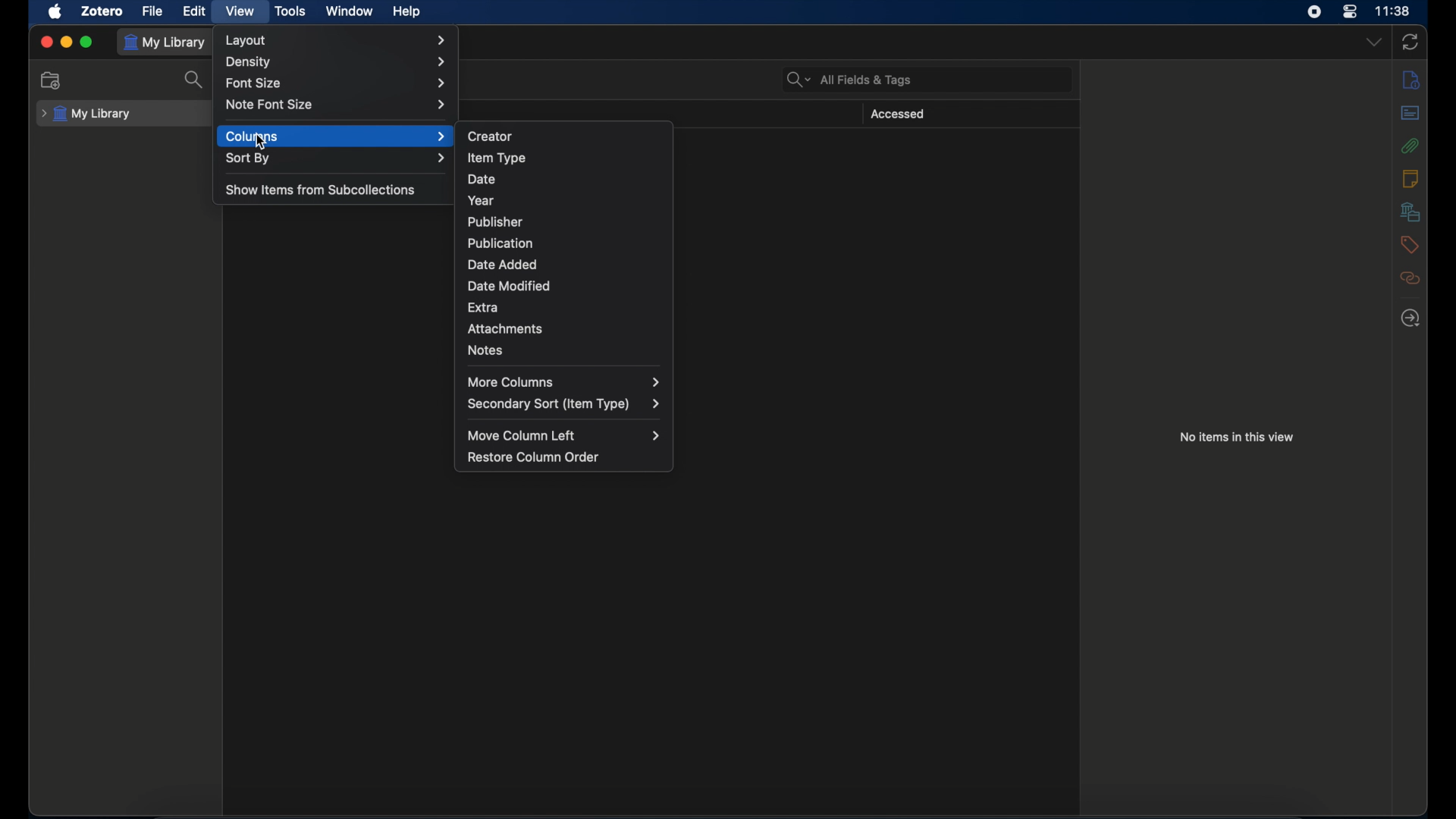  What do you see at coordinates (1410, 113) in the screenshot?
I see `abstract` at bounding box center [1410, 113].